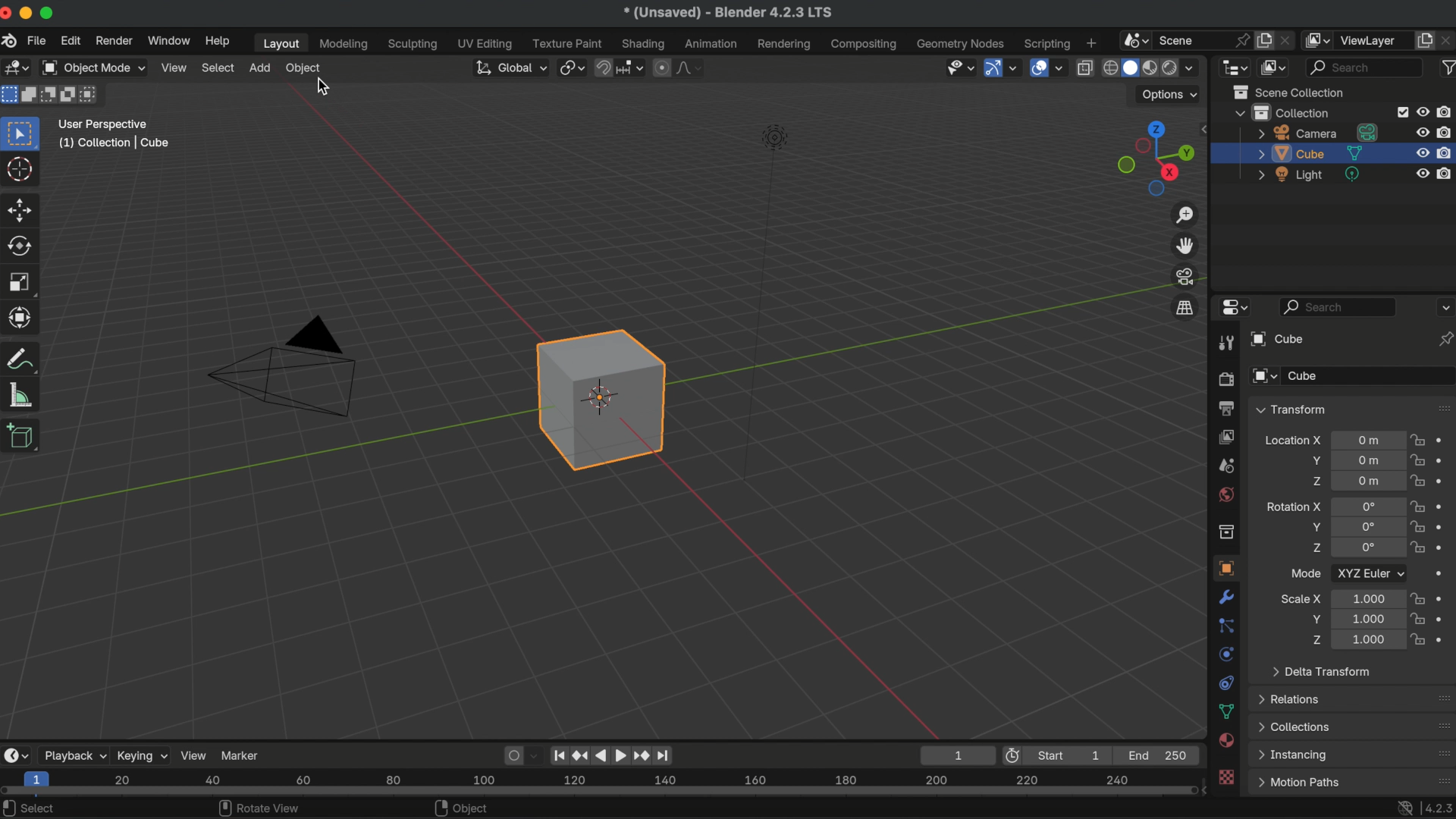  Describe the element at coordinates (1228, 597) in the screenshot. I see `modifiers` at that location.